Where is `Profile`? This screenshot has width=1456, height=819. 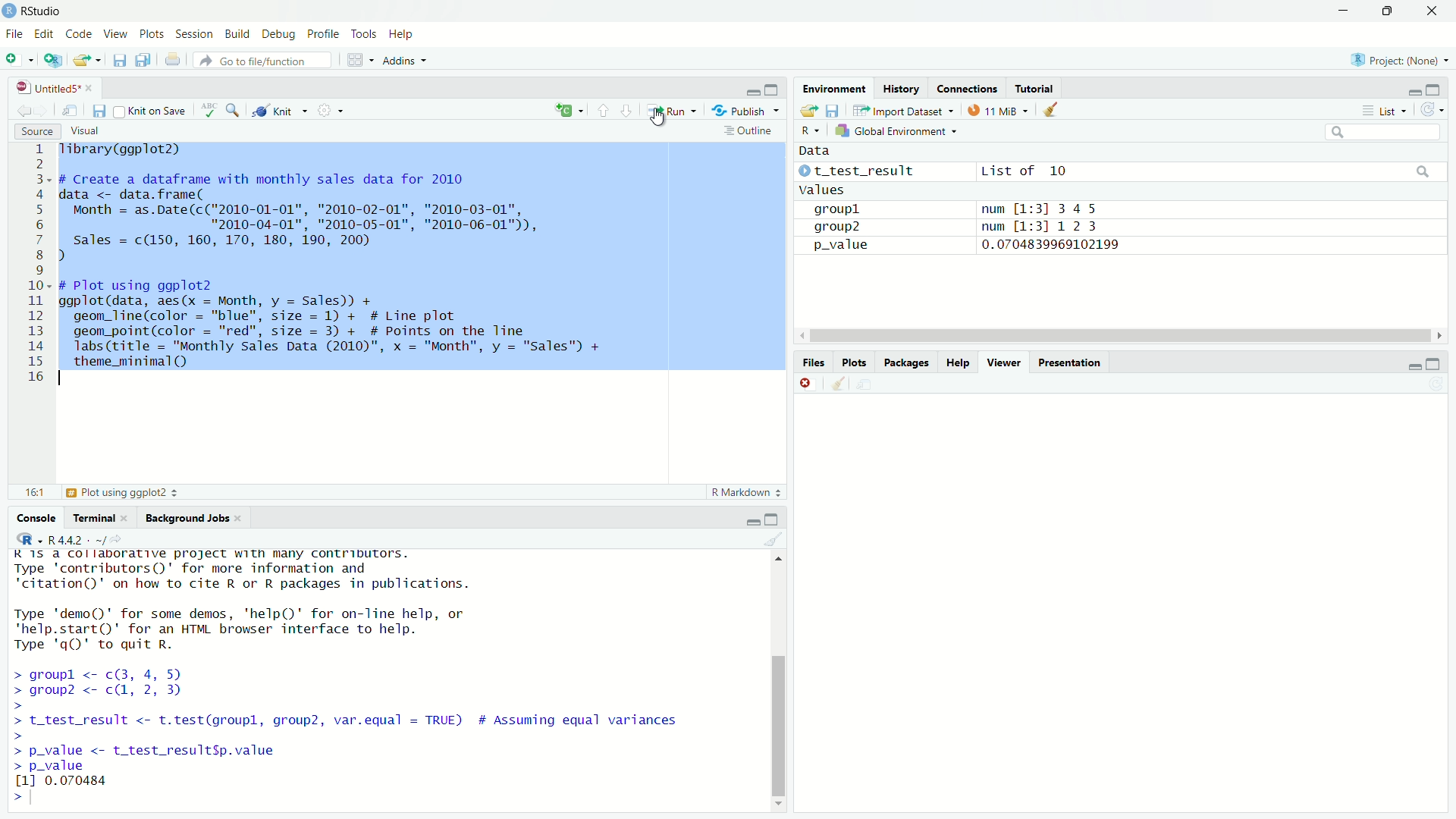 Profile is located at coordinates (322, 32).